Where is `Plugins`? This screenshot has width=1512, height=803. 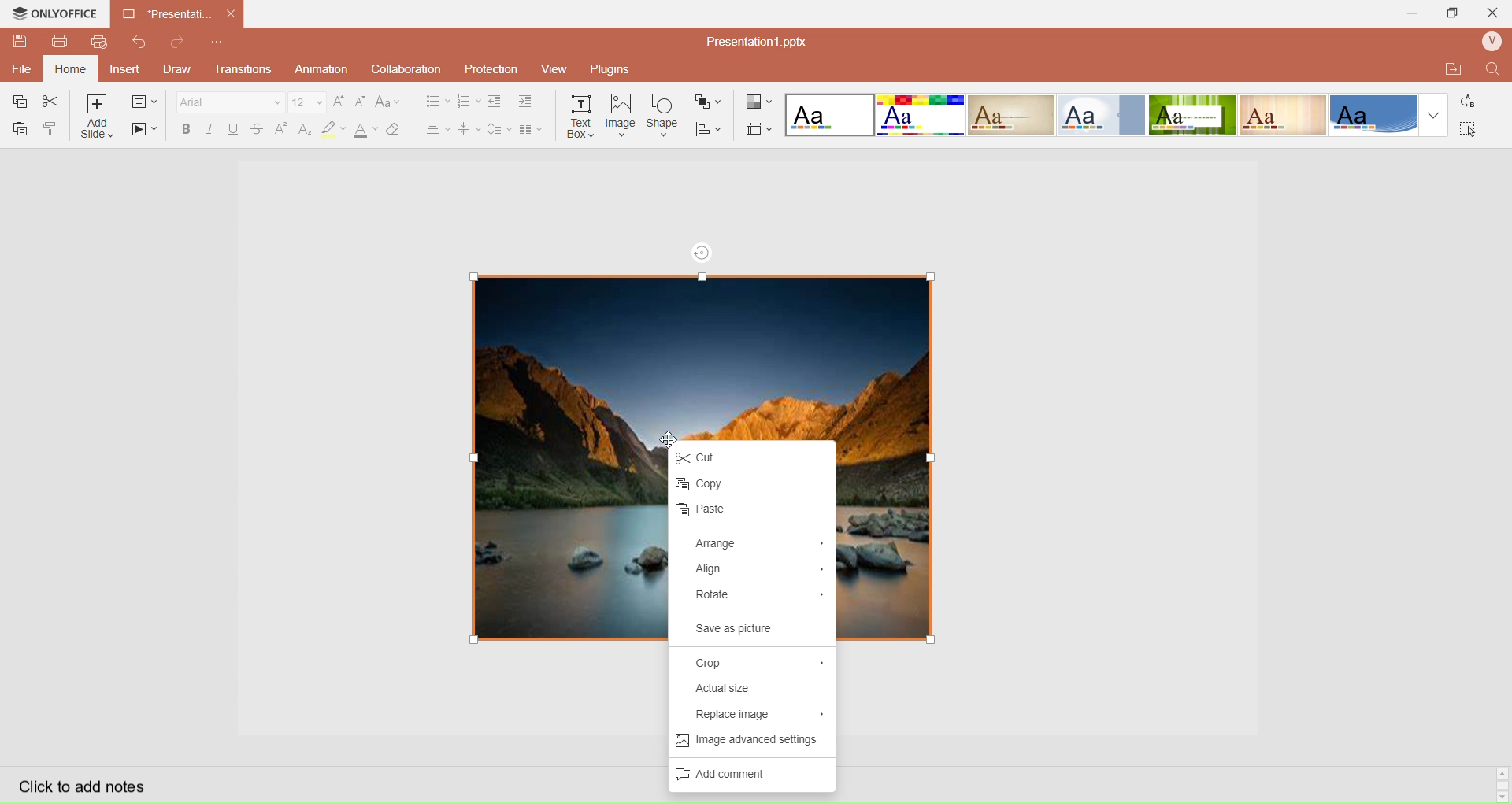
Plugins is located at coordinates (613, 69).